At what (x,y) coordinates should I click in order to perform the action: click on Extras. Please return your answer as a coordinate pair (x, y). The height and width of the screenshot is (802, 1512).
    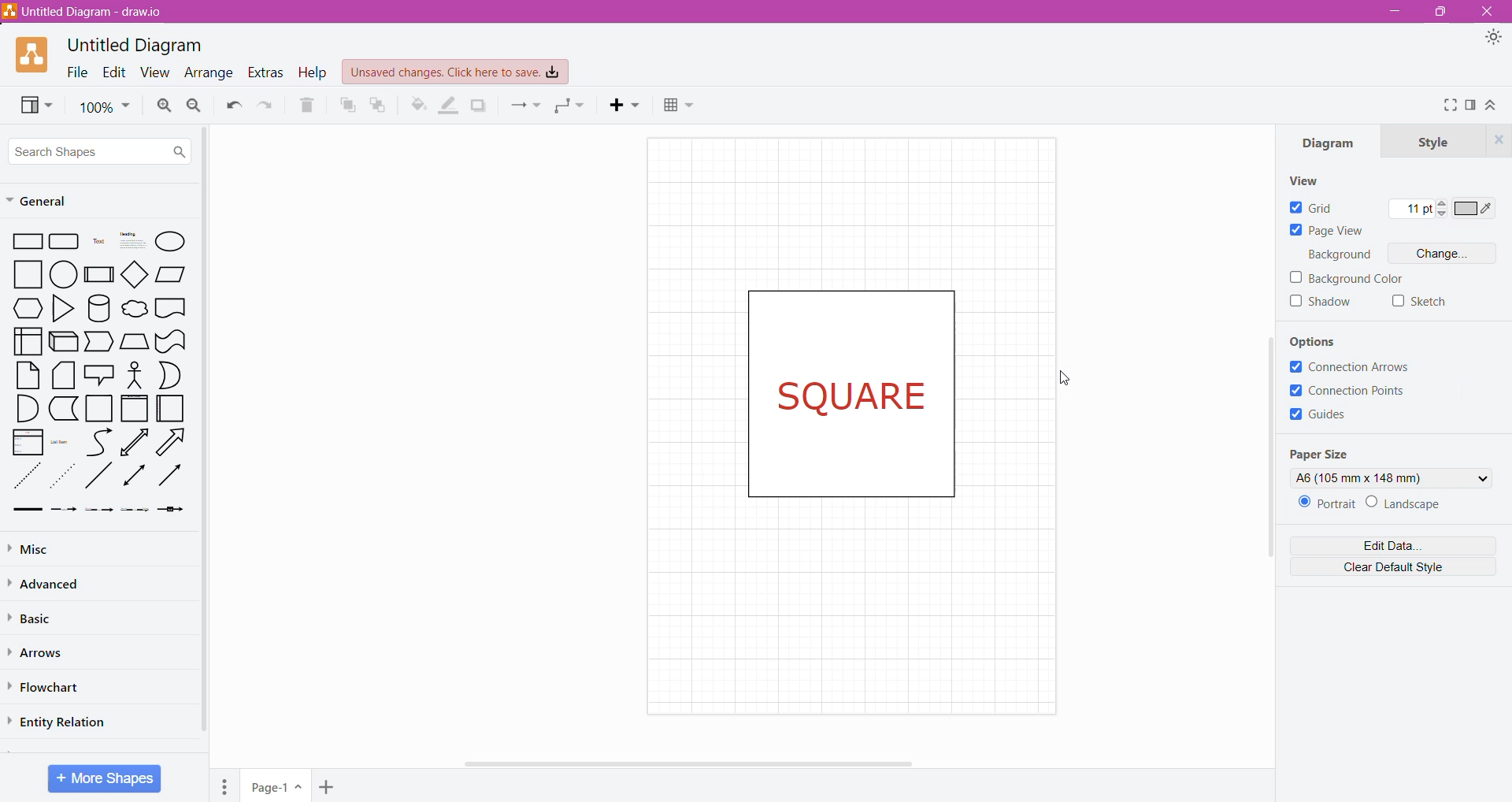
    Looking at the image, I should click on (265, 72).